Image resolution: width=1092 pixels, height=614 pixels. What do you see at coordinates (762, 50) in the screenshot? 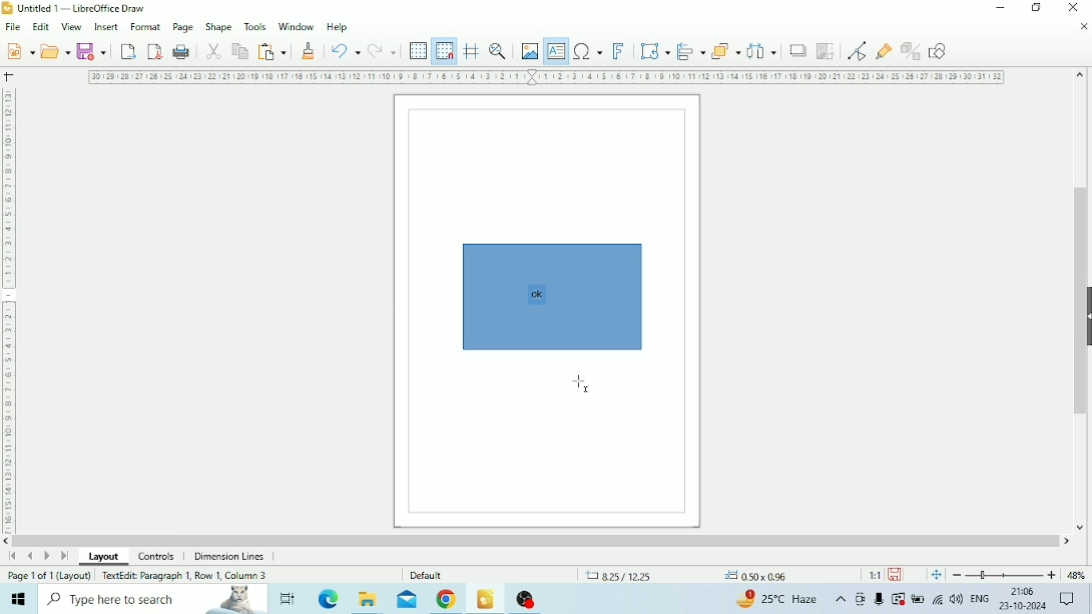
I see `Select at least three objects to distribute` at bounding box center [762, 50].